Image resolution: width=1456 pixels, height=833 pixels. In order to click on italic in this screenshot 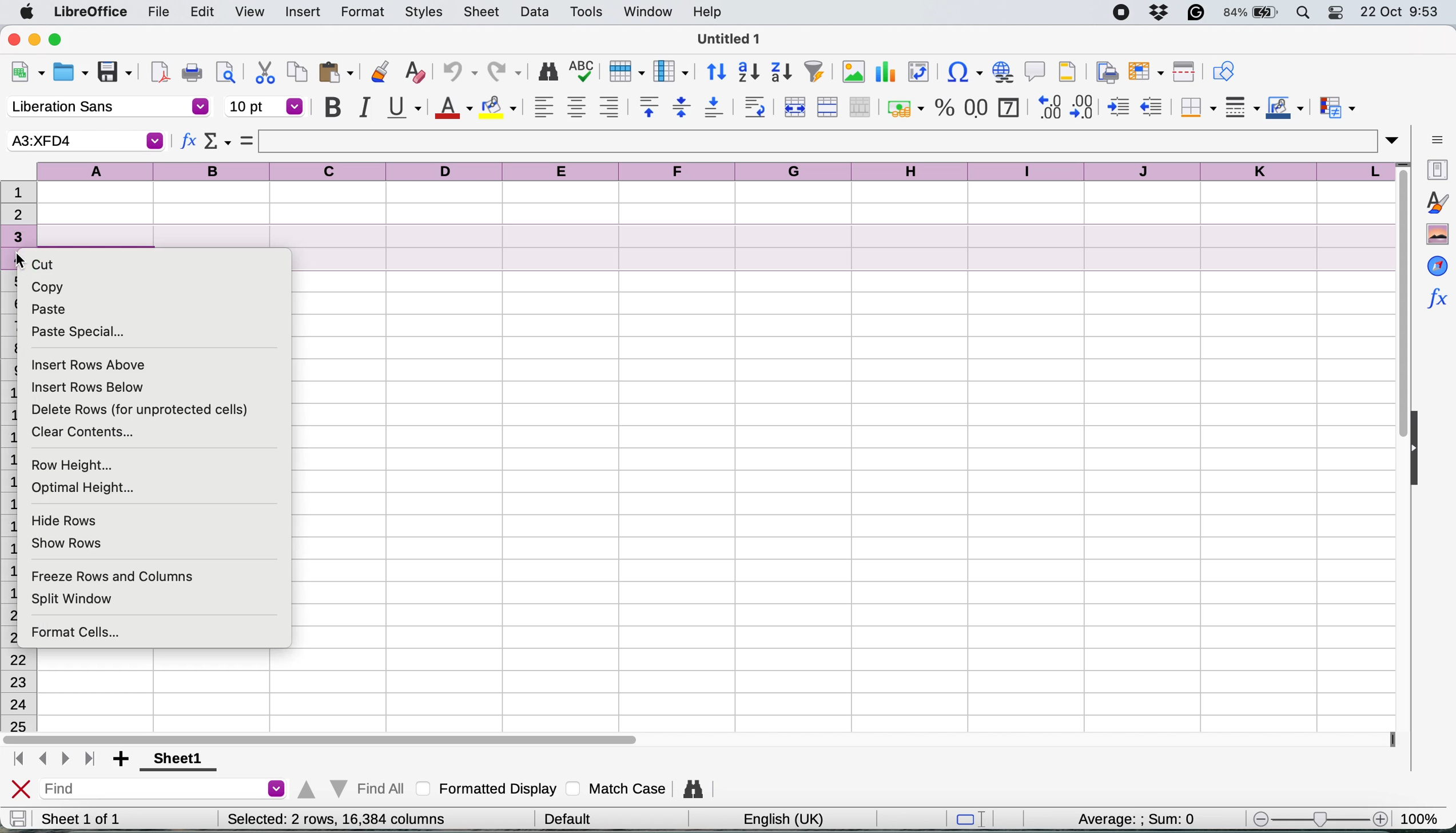, I will do `click(363, 107)`.